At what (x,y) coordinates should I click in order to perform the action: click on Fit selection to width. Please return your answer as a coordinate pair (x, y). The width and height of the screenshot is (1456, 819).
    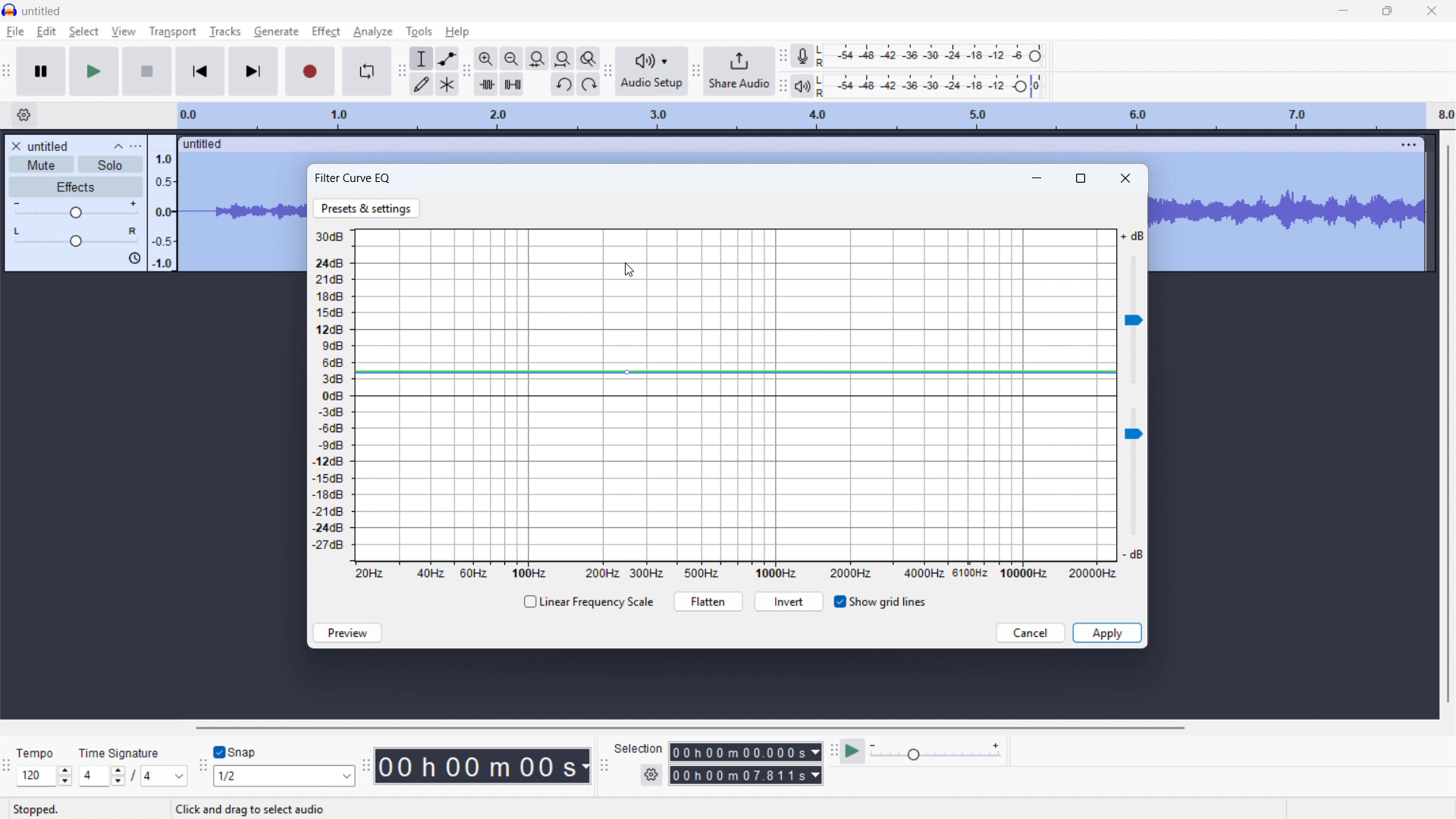
    Looking at the image, I should click on (537, 59).